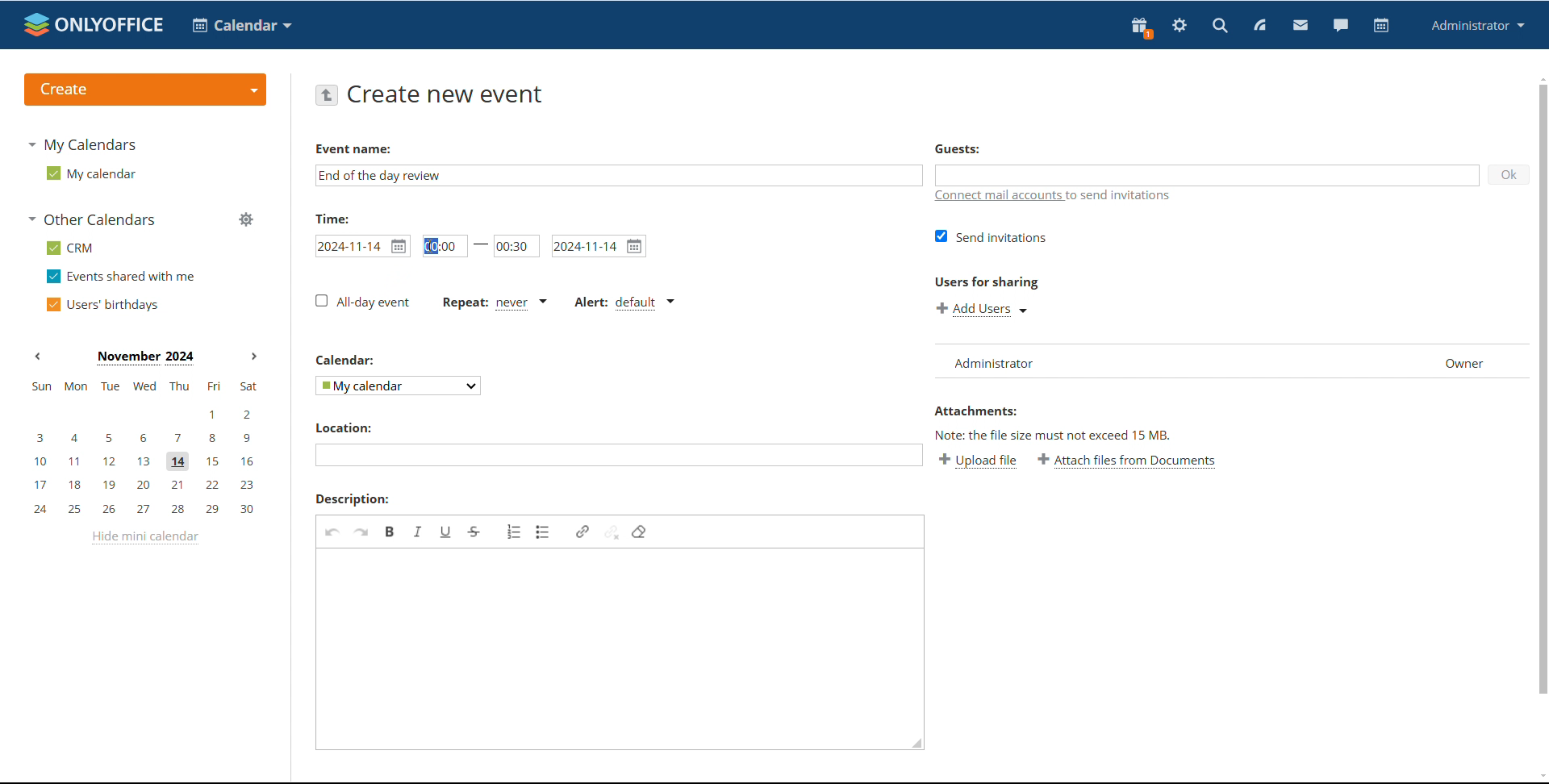 The image size is (1549, 784). What do you see at coordinates (1231, 361) in the screenshot?
I see `list of users` at bounding box center [1231, 361].